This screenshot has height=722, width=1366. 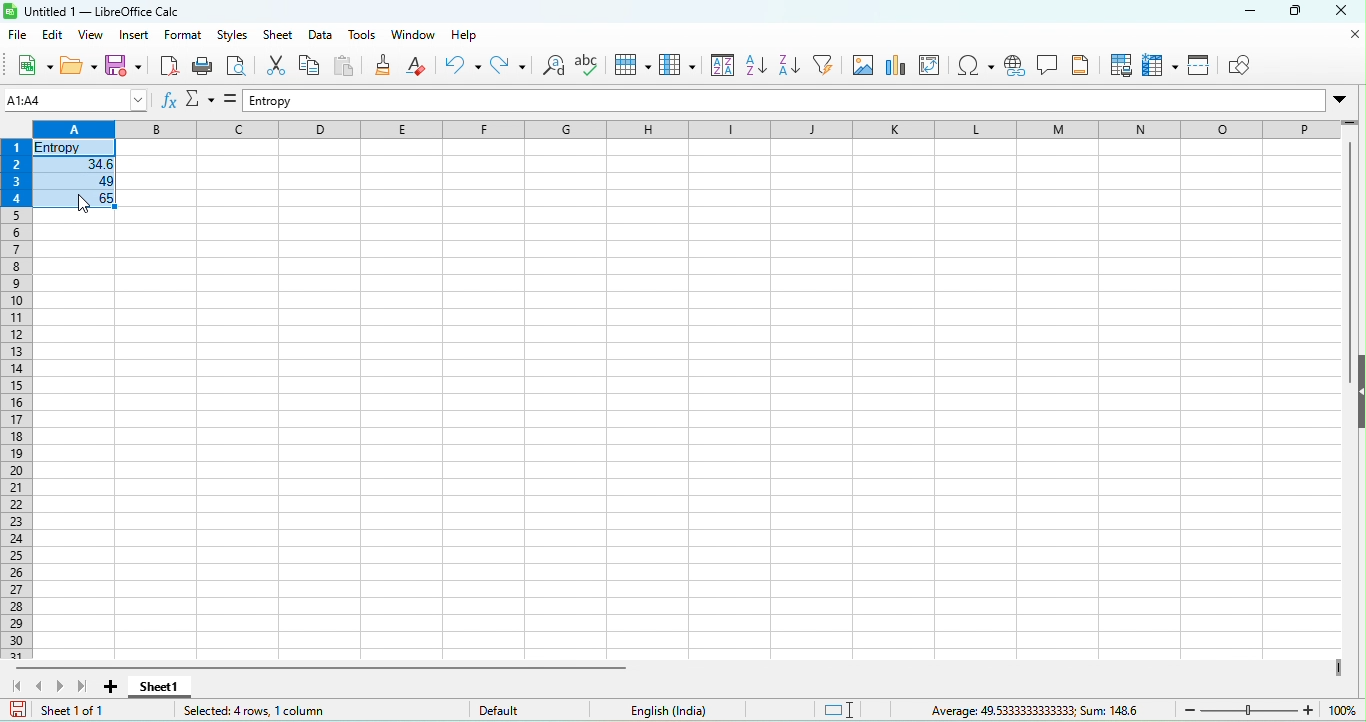 What do you see at coordinates (102, 10) in the screenshot?
I see `untitled 1-libre office calc` at bounding box center [102, 10].